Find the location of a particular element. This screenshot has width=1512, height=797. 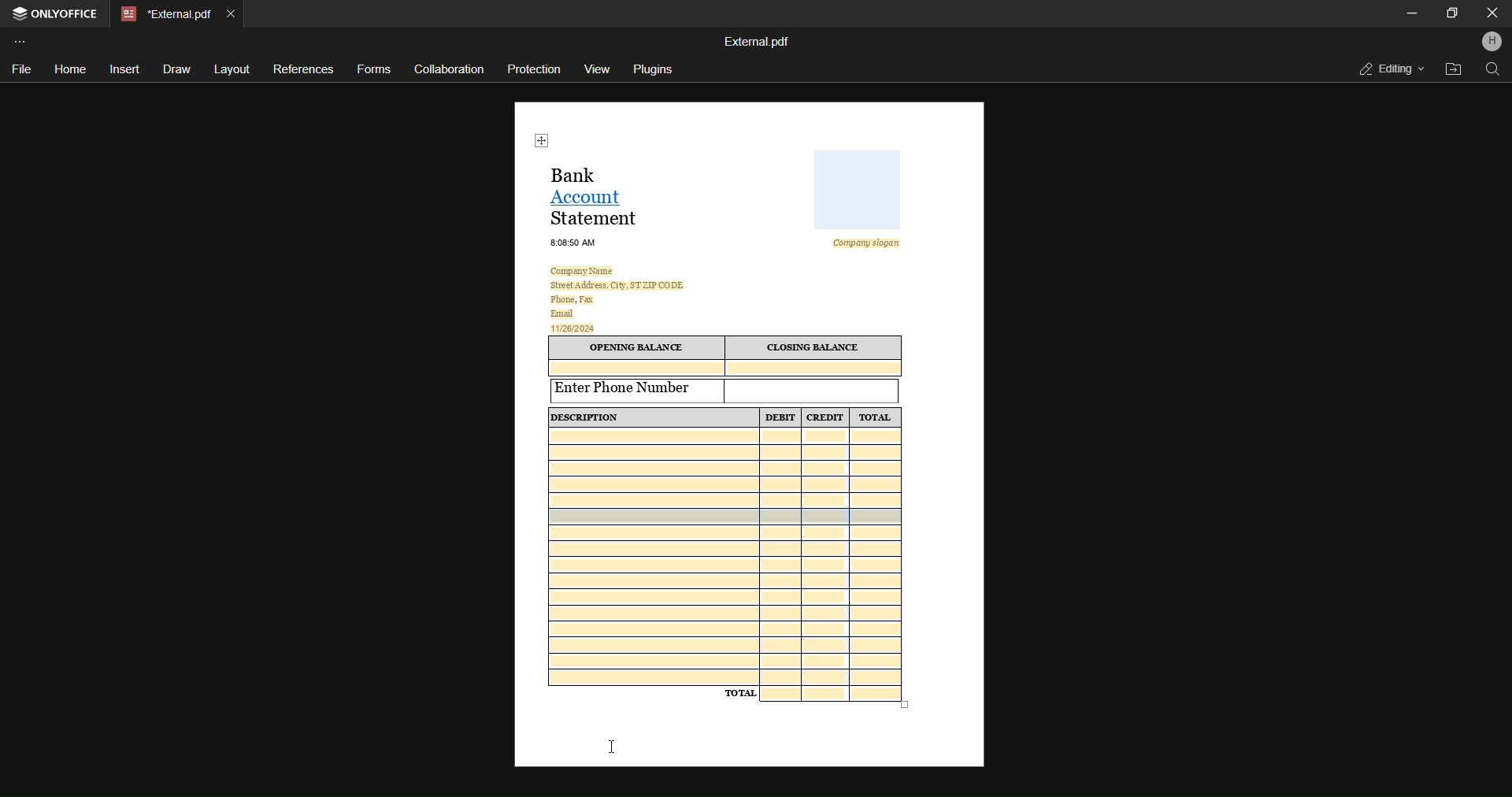

profile is located at coordinates (1492, 43).